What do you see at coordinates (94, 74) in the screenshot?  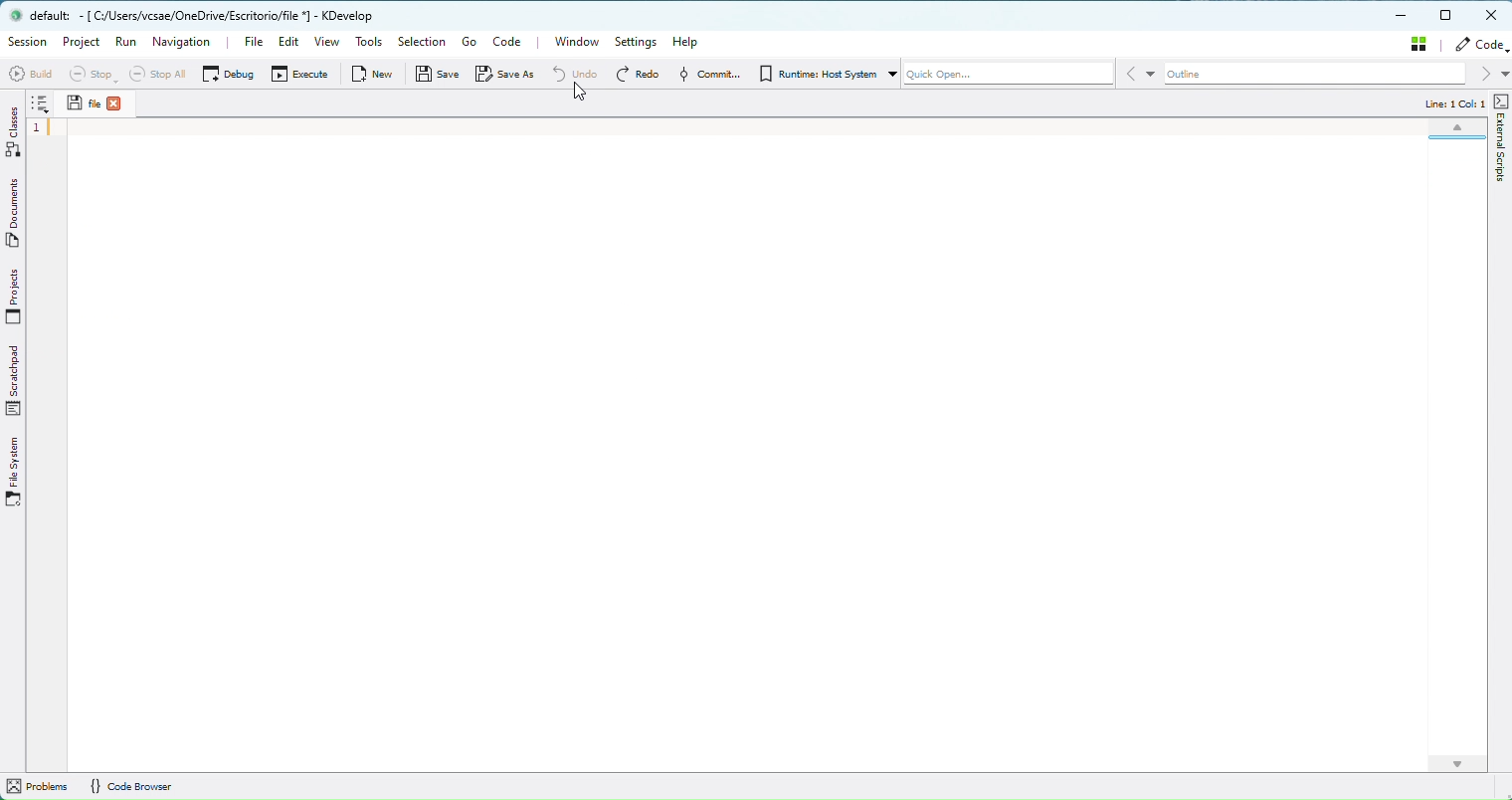 I see `Stop` at bounding box center [94, 74].